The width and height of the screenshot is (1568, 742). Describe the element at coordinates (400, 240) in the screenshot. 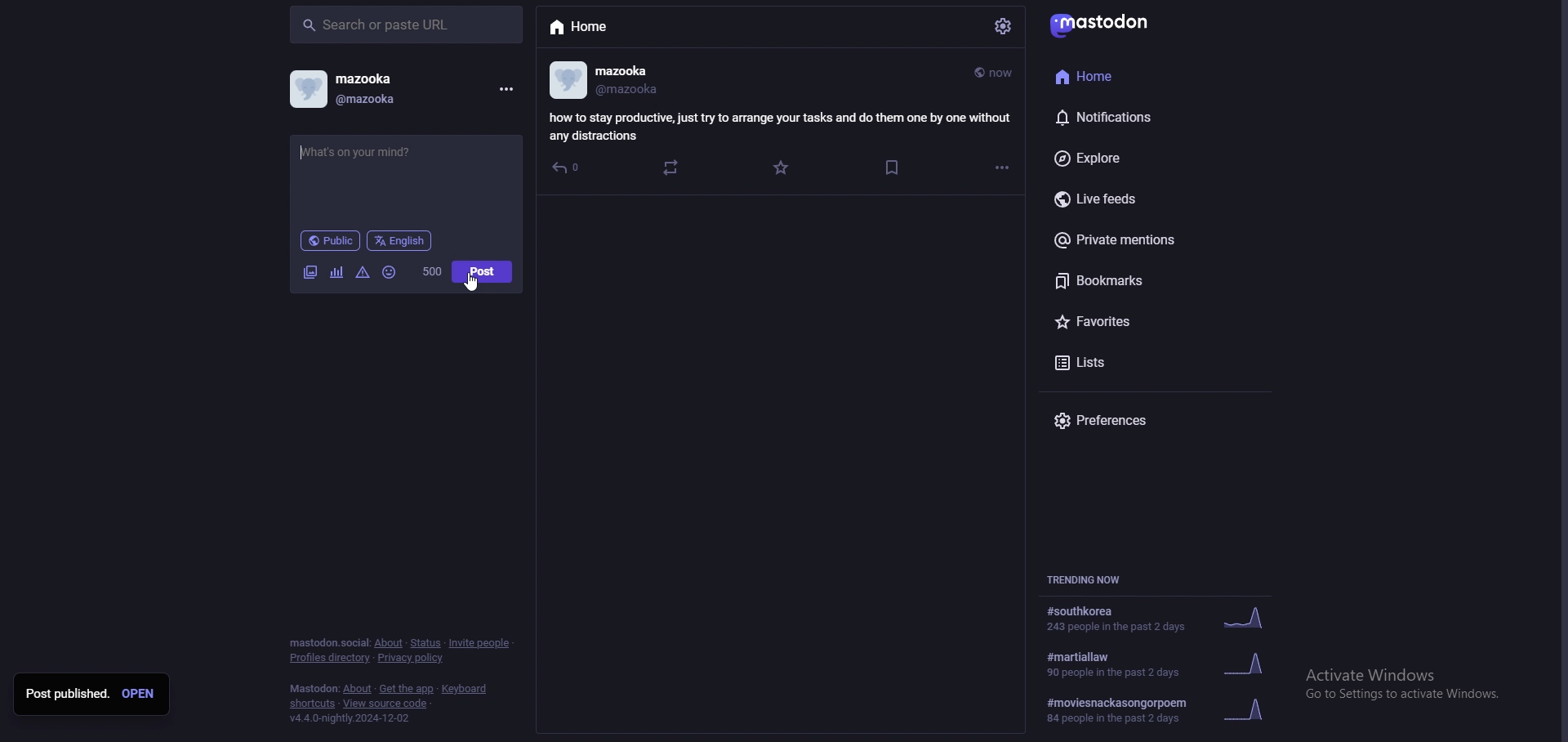

I see `language` at that location.